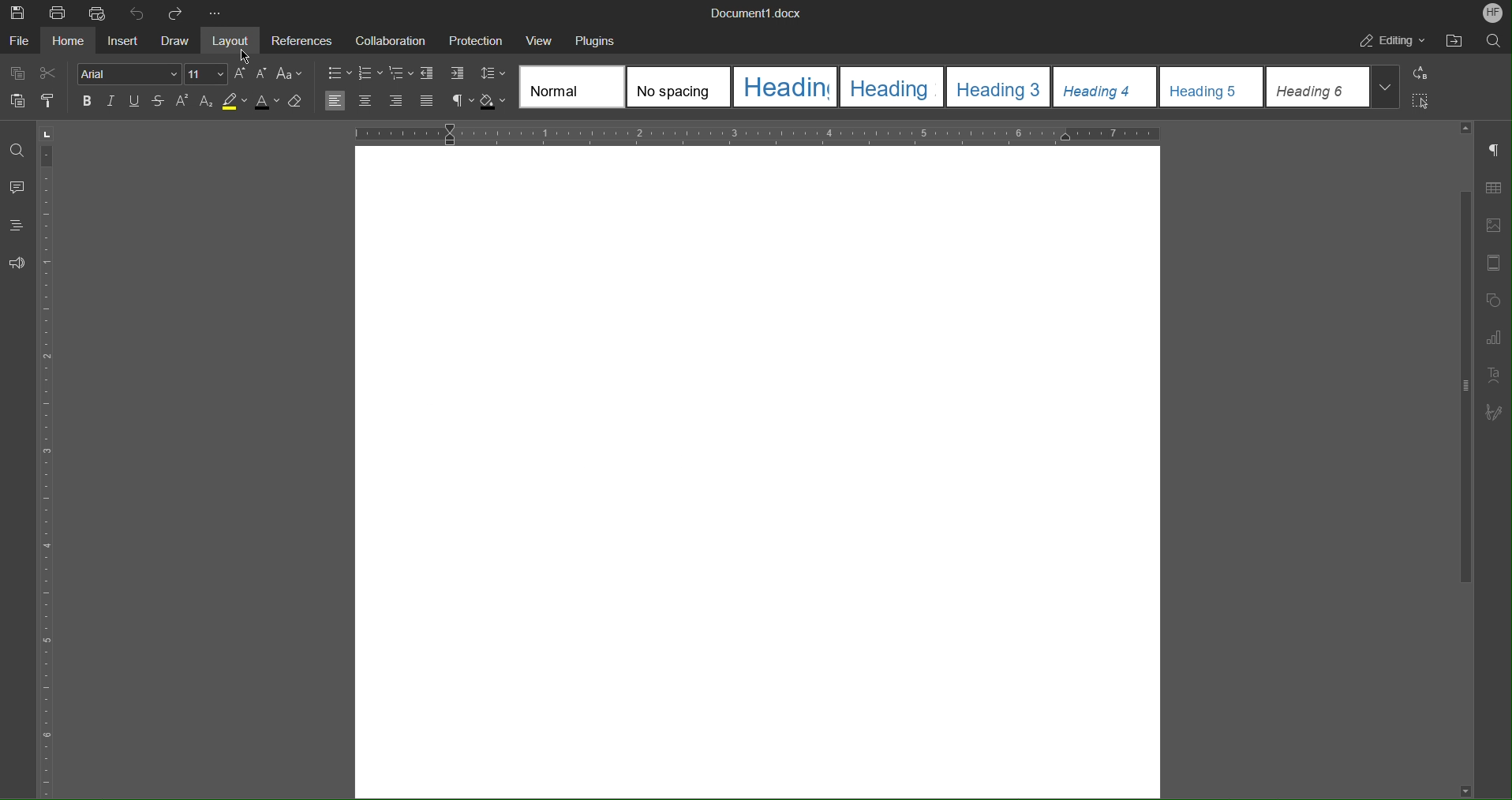 The height and width of the screenshot is (800, 1512). Describe the element at coordinates (290, 75) in the screenshot. I see `Text case settings` at that location.